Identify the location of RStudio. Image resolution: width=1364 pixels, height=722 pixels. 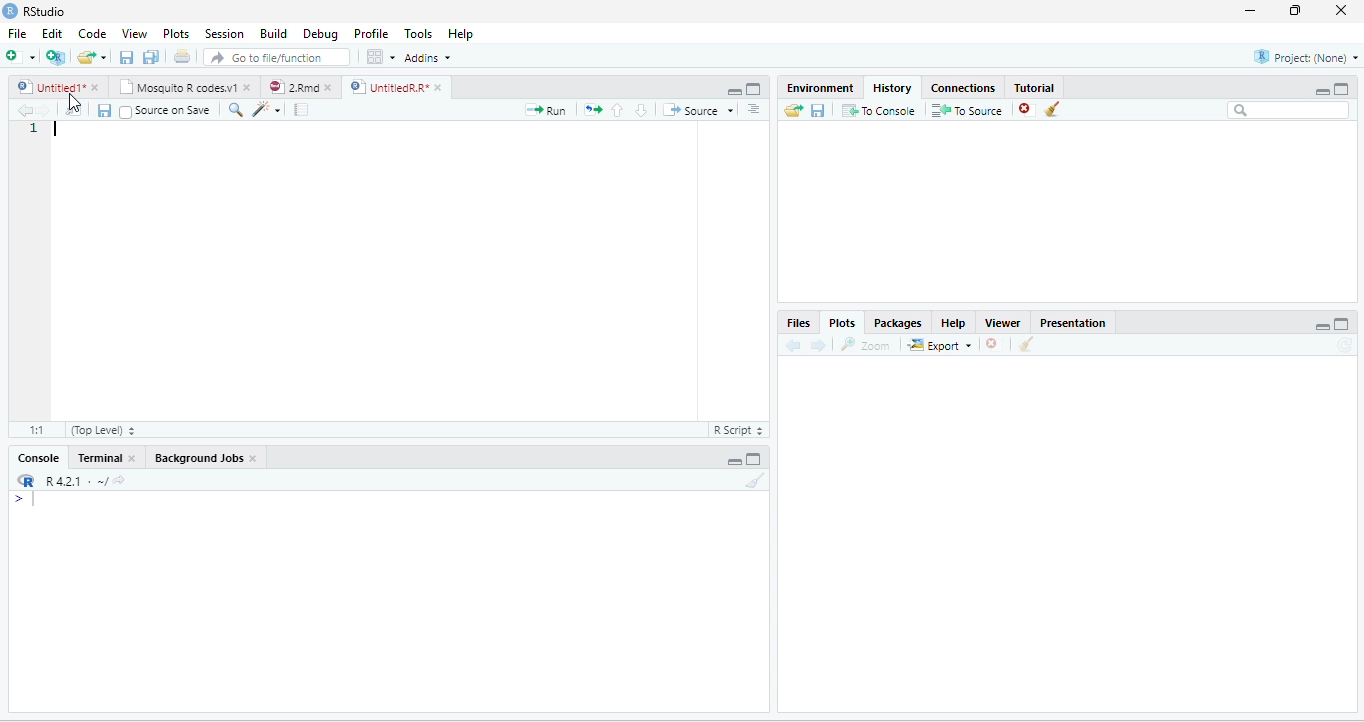
(34, 11).